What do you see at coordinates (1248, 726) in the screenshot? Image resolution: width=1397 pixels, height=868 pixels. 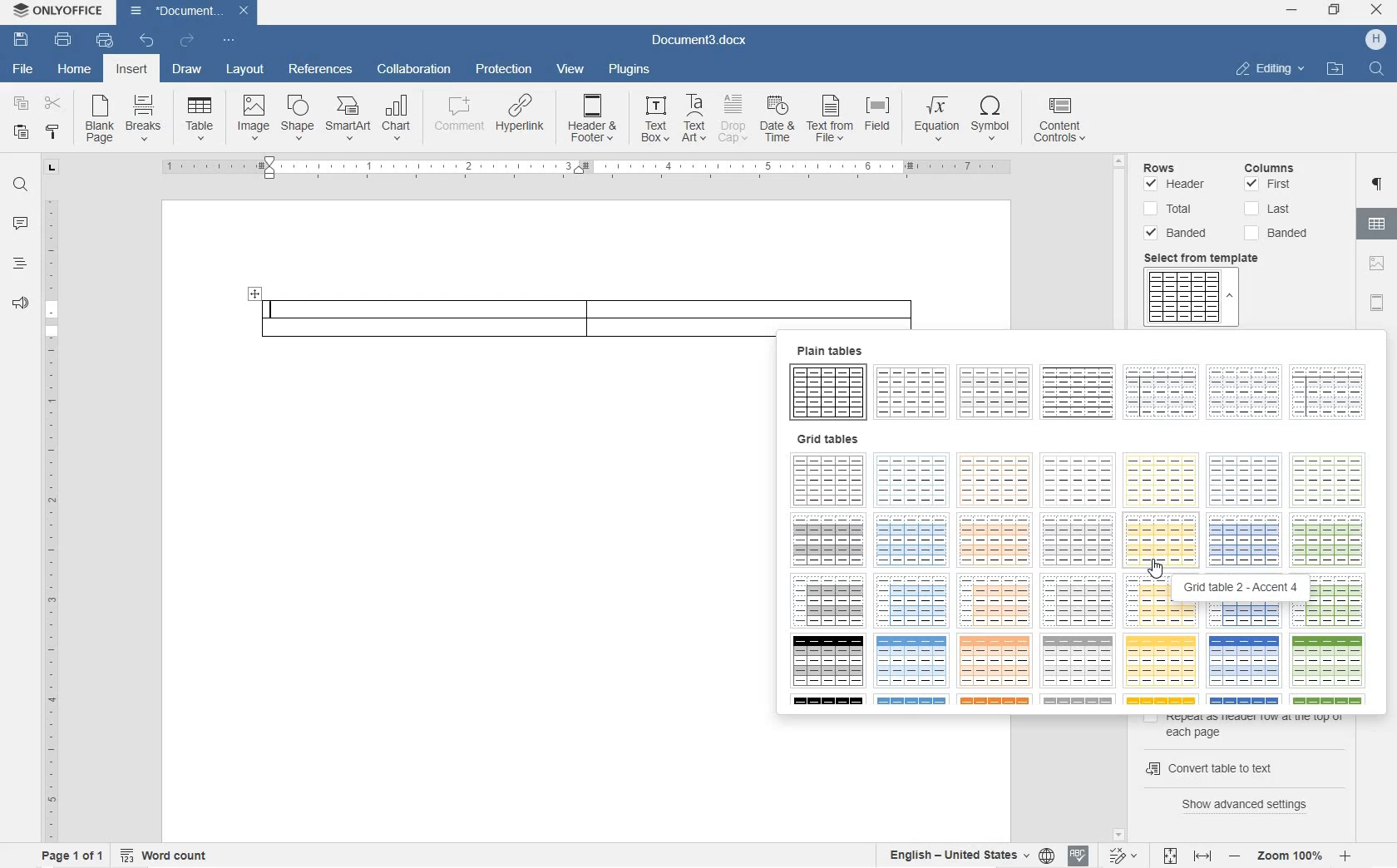 I see `repeat as header row at the top of each page` at bounding box center [1248, 726].